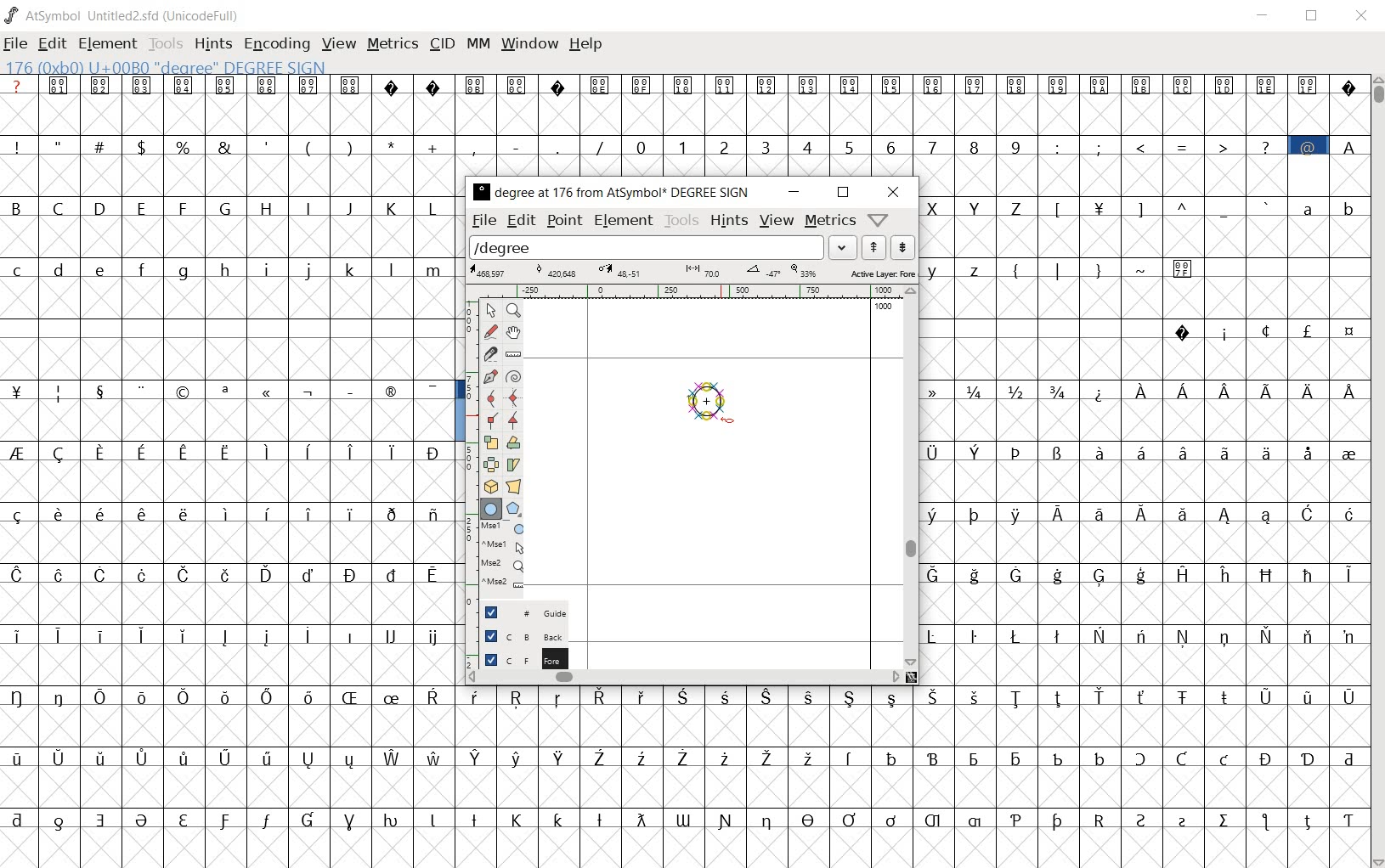 This screenshot has height=868, width=1385. Describe the element at coordinates (490, 310) in the screenshot. I see `pointer` at that location.